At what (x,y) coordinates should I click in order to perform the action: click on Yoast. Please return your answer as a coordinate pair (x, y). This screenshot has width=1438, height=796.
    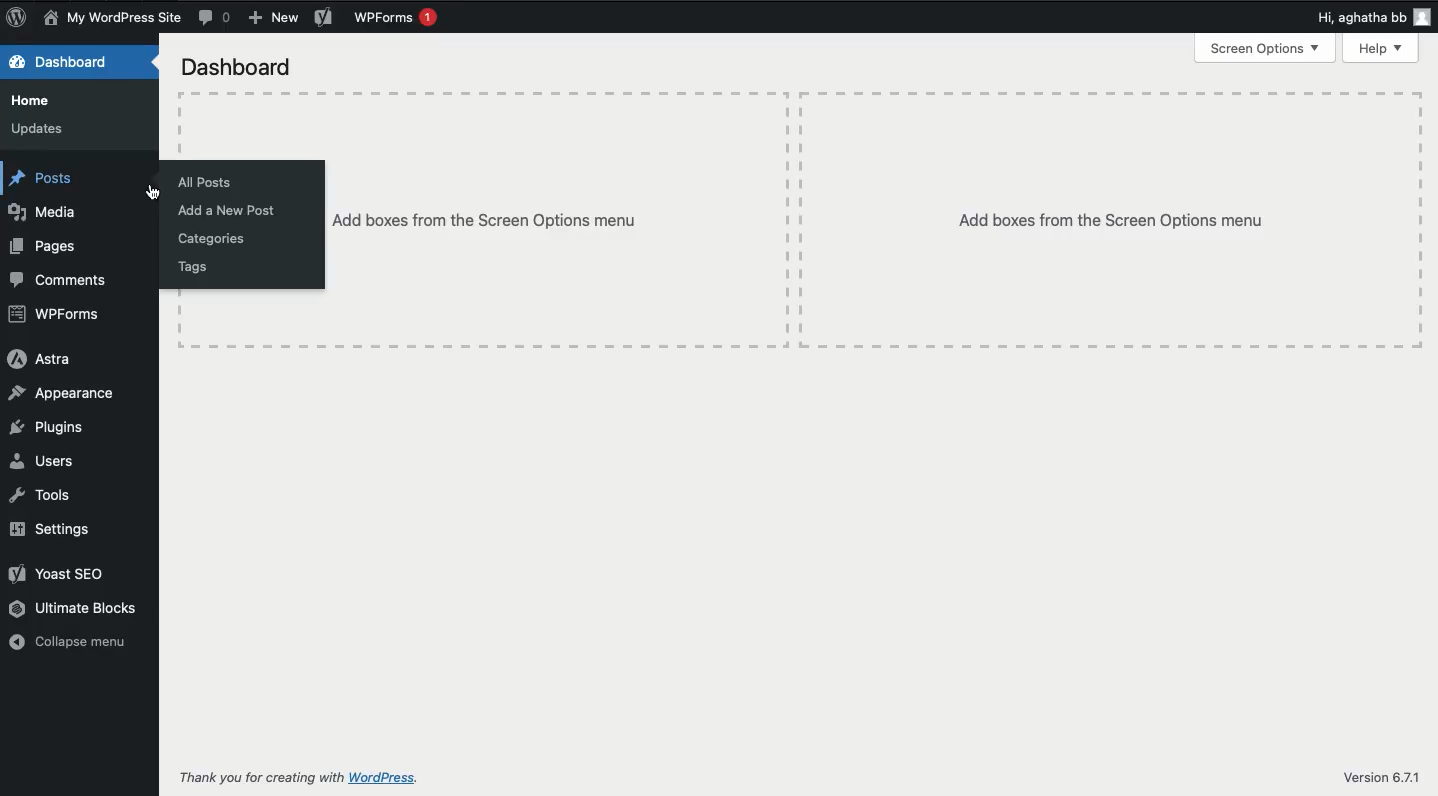
    Looking at the image, I should click on (57, 572).